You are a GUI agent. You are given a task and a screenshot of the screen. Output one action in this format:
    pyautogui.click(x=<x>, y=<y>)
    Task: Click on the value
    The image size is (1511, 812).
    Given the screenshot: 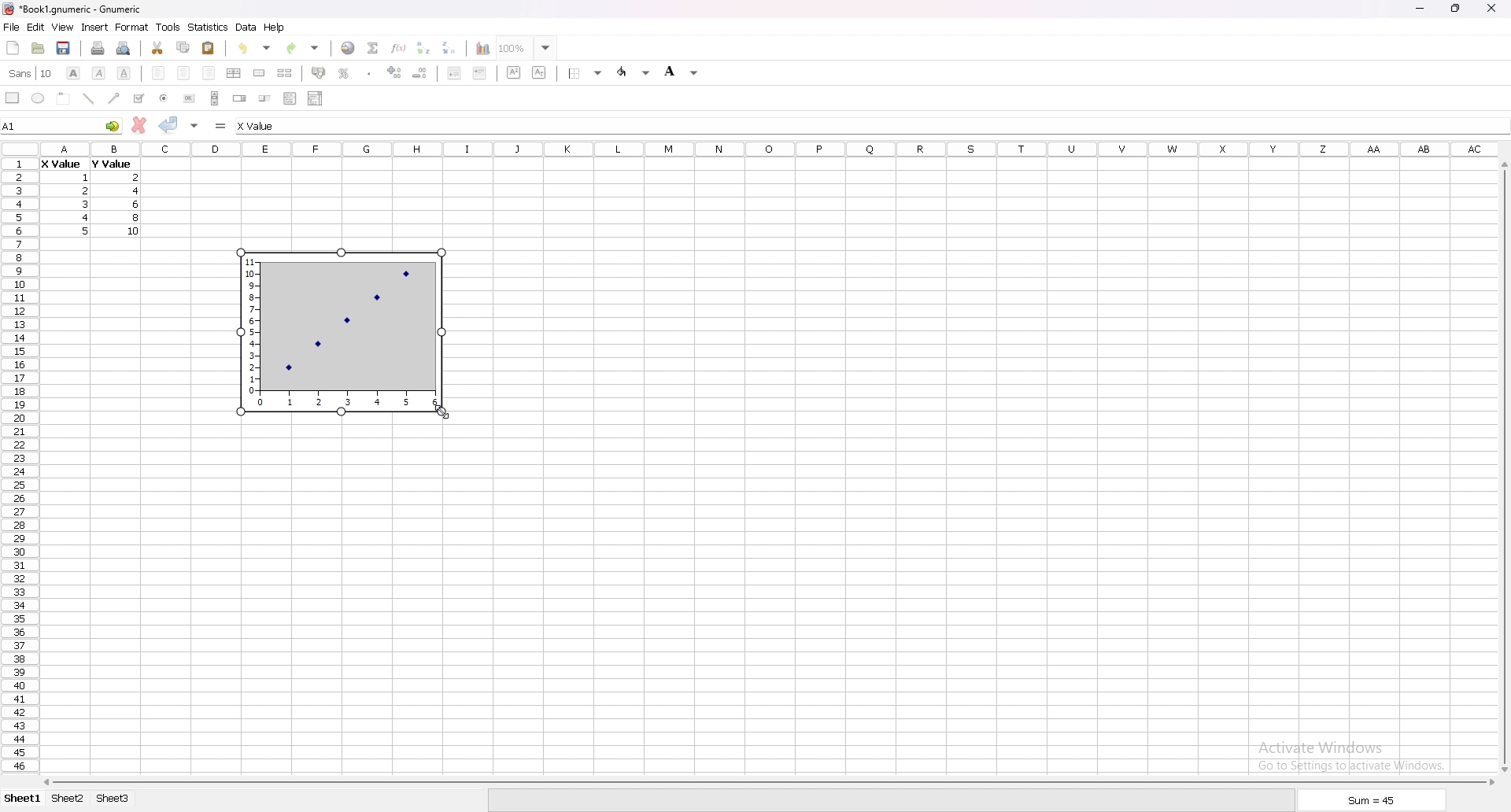 What is the action you would take?
    pyautogui.click(x=61, y=165)
    